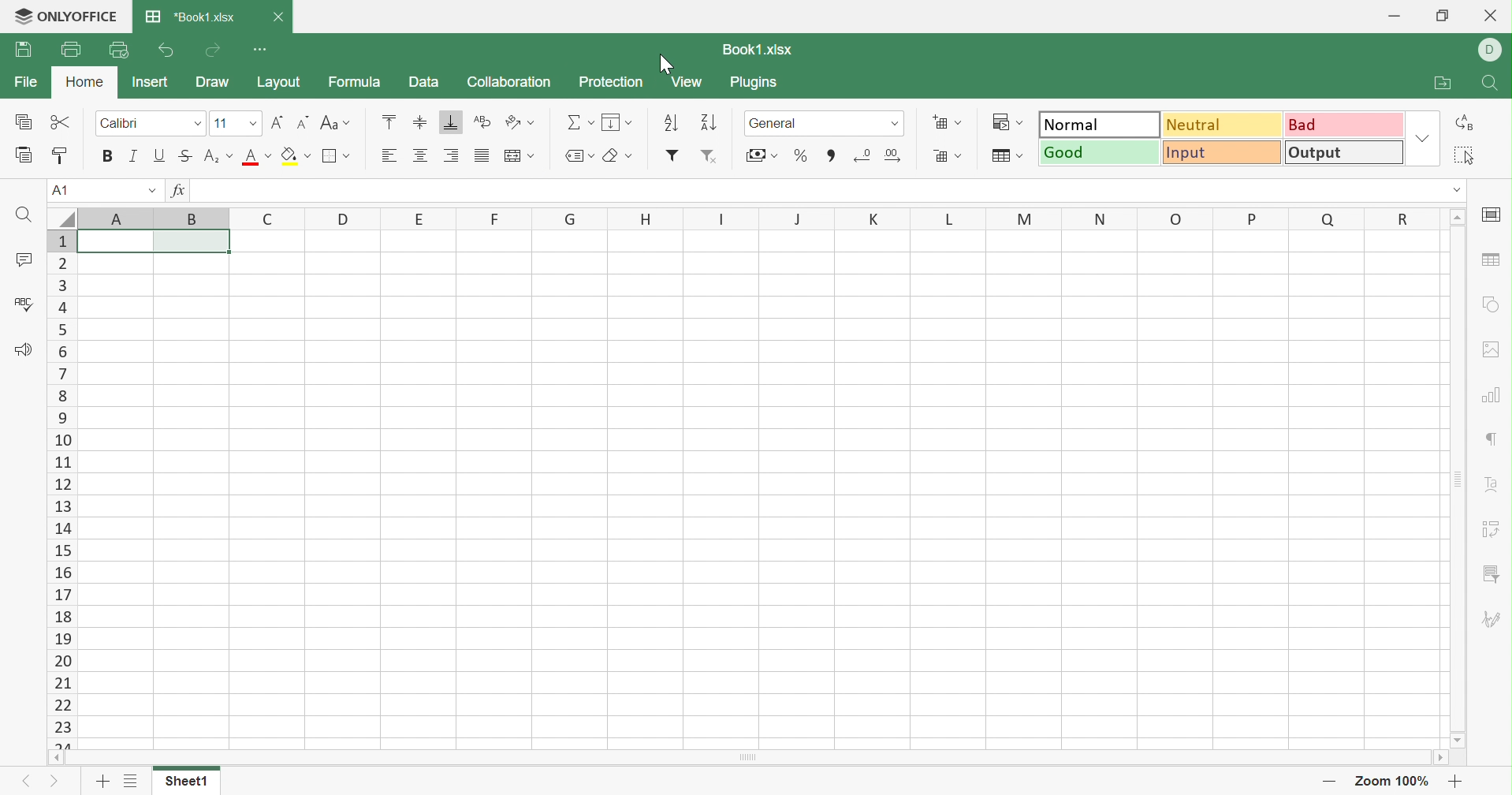 The width and height of the screenshot is (1512, 795). What do you see at coordinates (61, 489) in the screenshot?
I see `Row Numbers` at bounding box center [61, 489].